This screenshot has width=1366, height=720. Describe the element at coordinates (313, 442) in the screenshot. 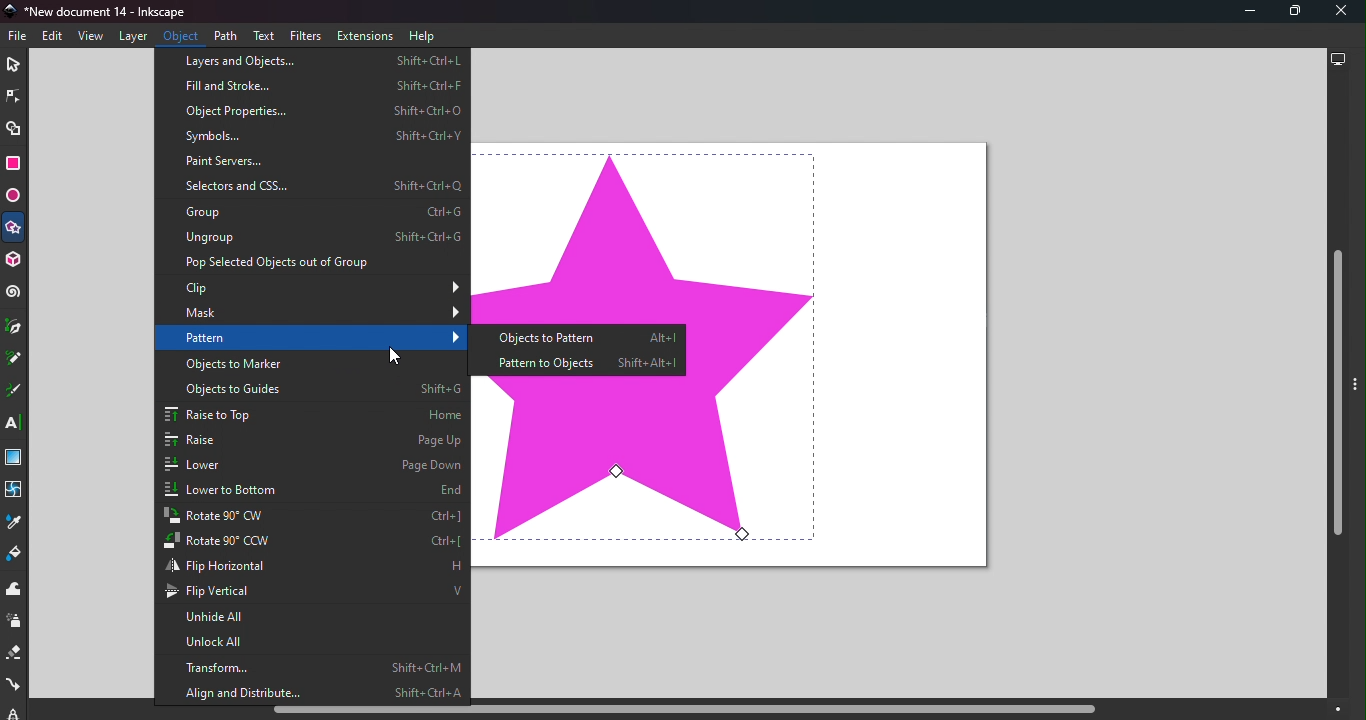

I see `Raise` at that location.